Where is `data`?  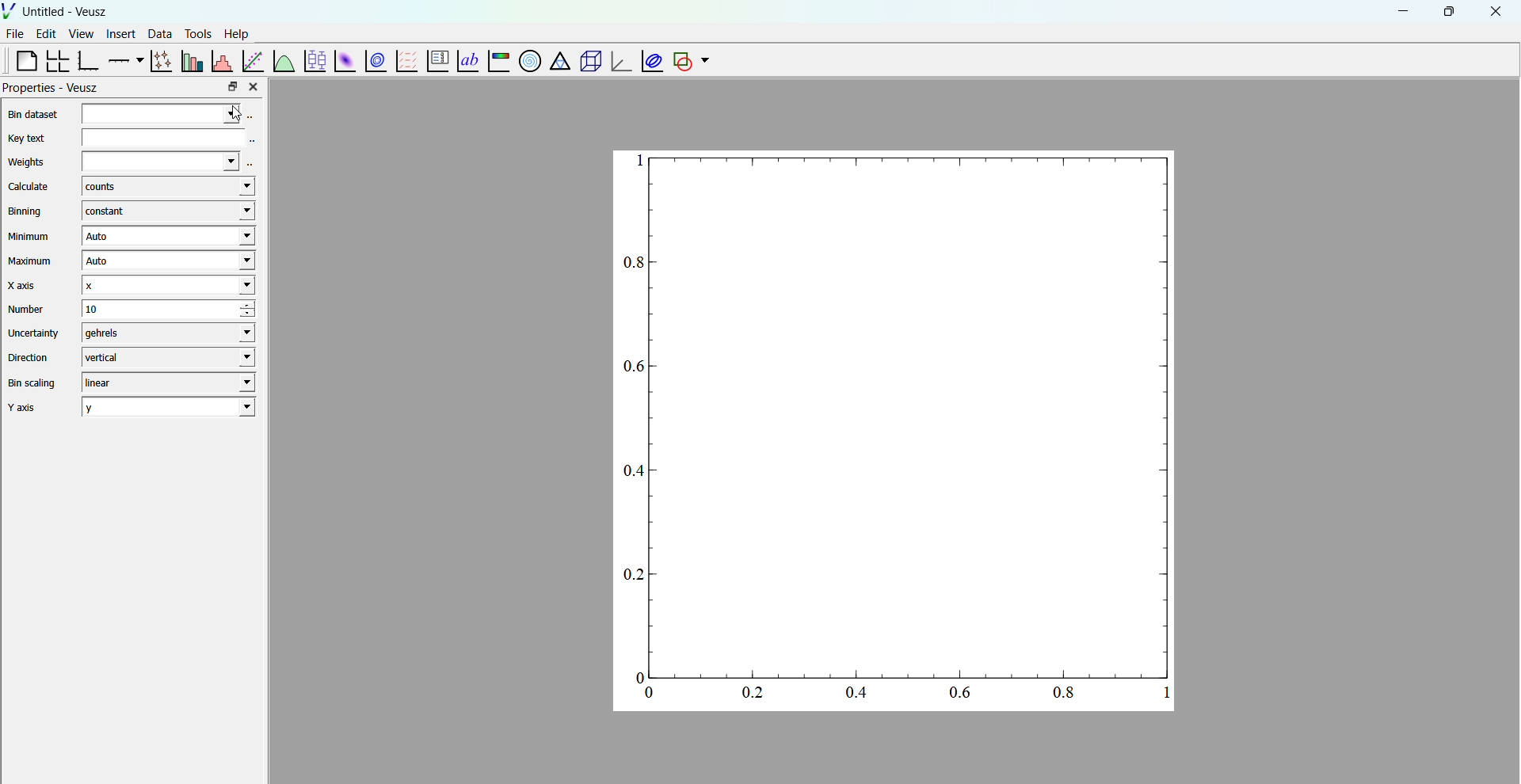 data is located at coordinates (158, 33).